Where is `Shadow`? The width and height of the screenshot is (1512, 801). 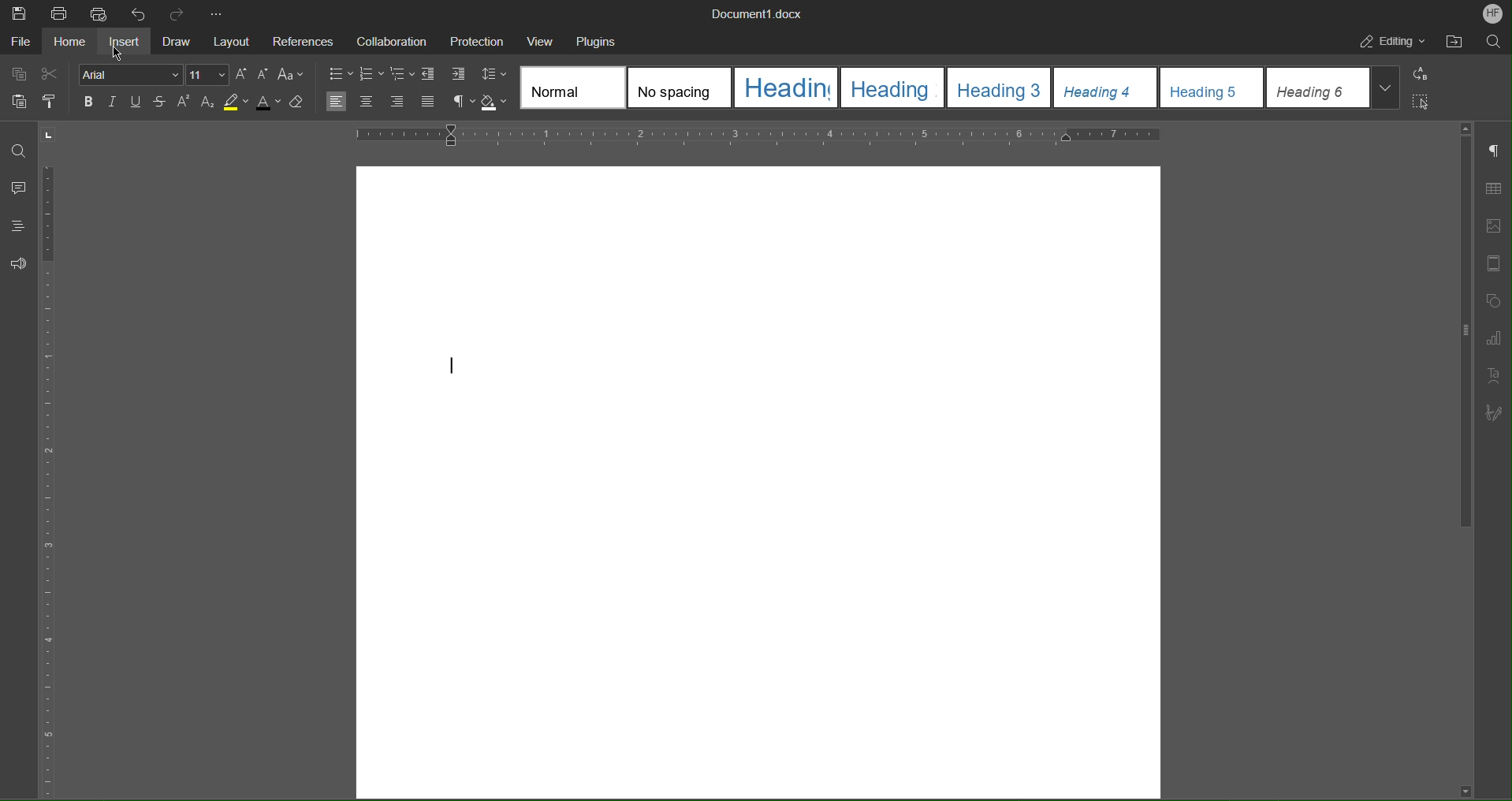
Shadow is located at coordinates (493, 102).